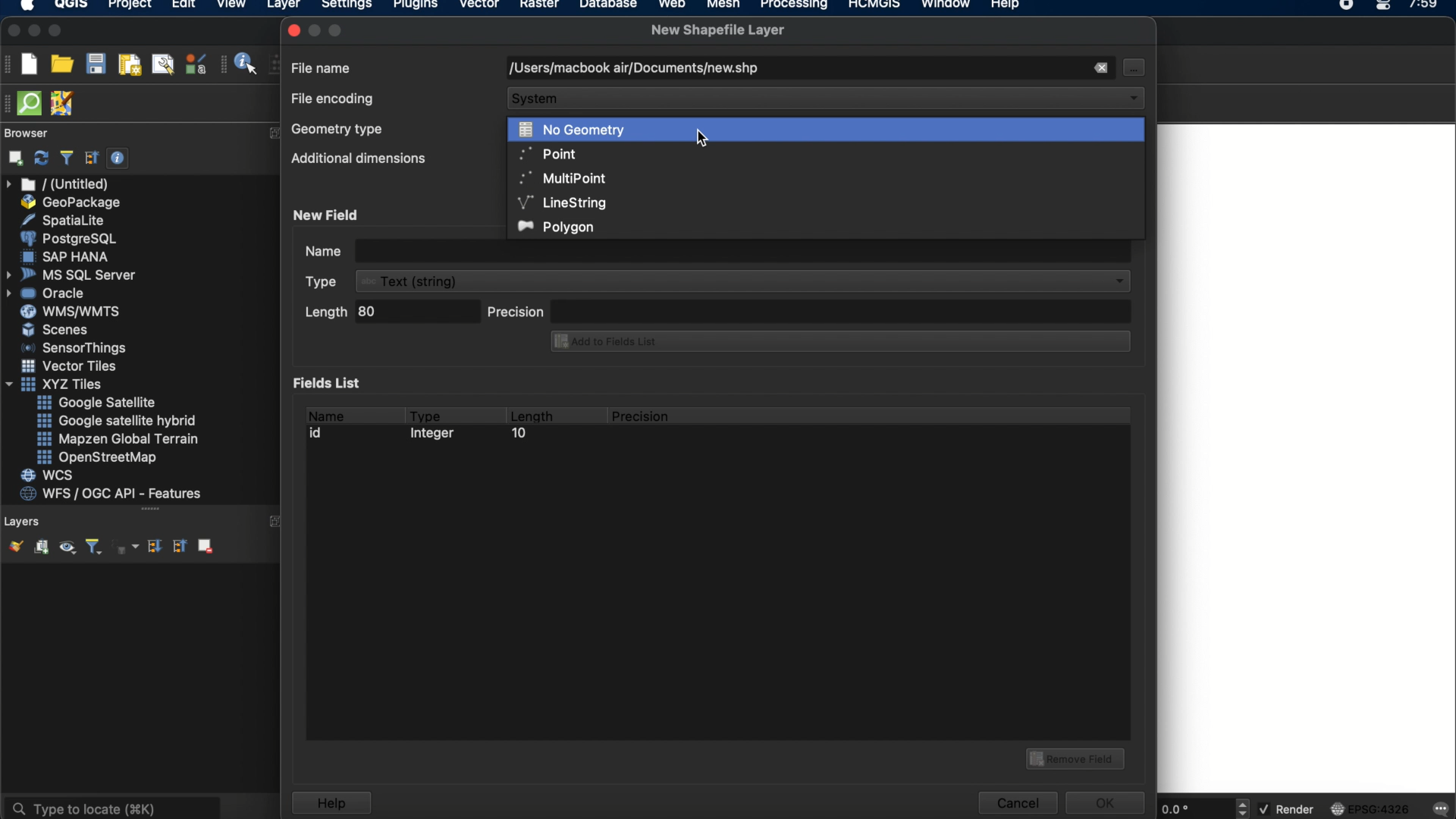  What do you see at coordinates (340, 128) in the screenshot?
I see `Geometry type` at bounding box center [340, 128].